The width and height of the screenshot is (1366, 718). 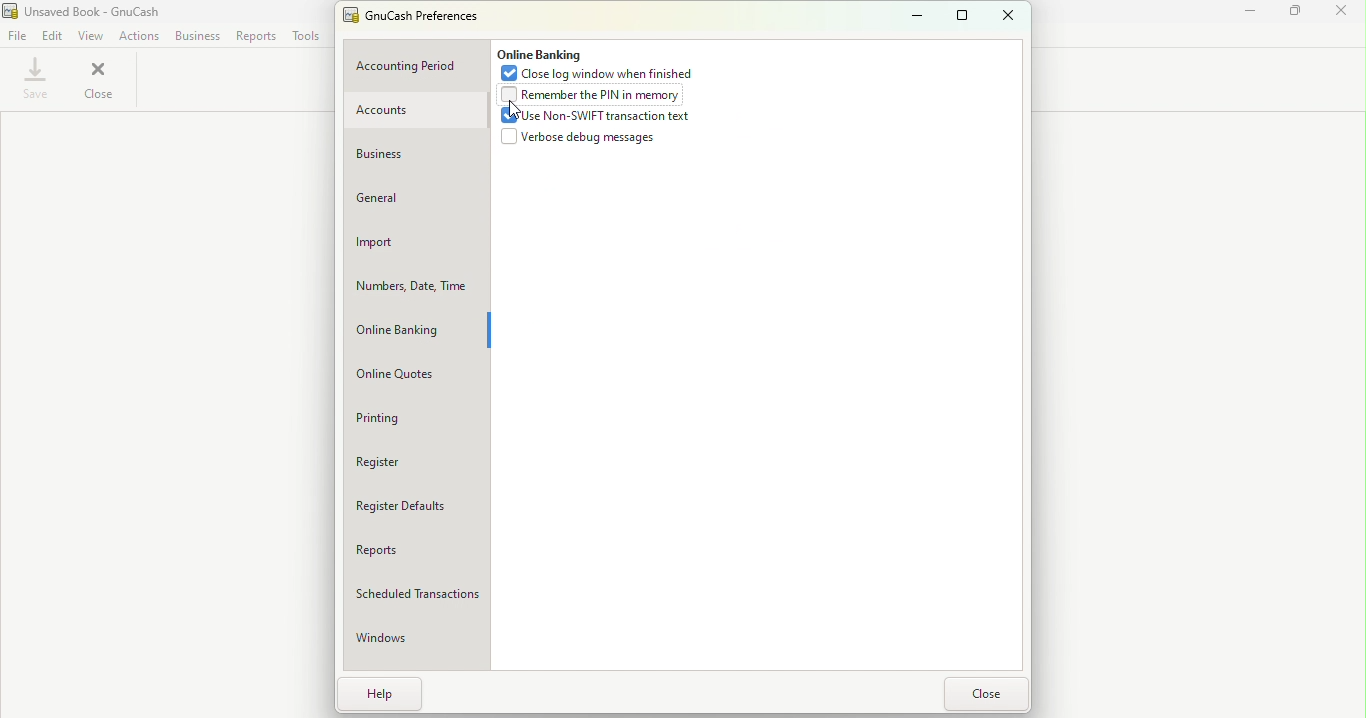 What do you see at coordinates (414, 246) in the screenshot?
I see `Import` at bounding box center [414, 246].